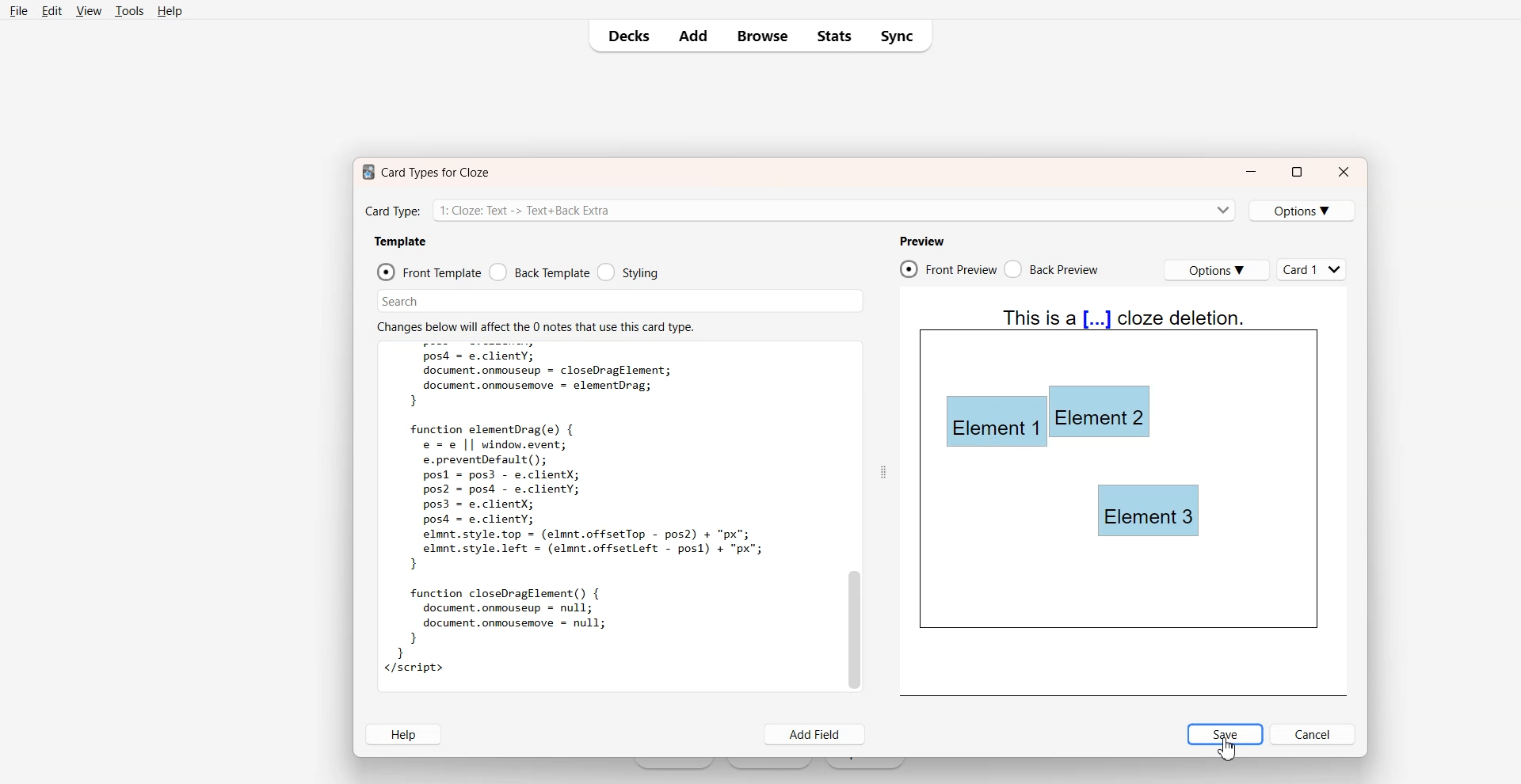 The image size is (1521, 784). Describe the element at coordinates (1100, 412) in the screenshot. I see `Element 2` at that location.